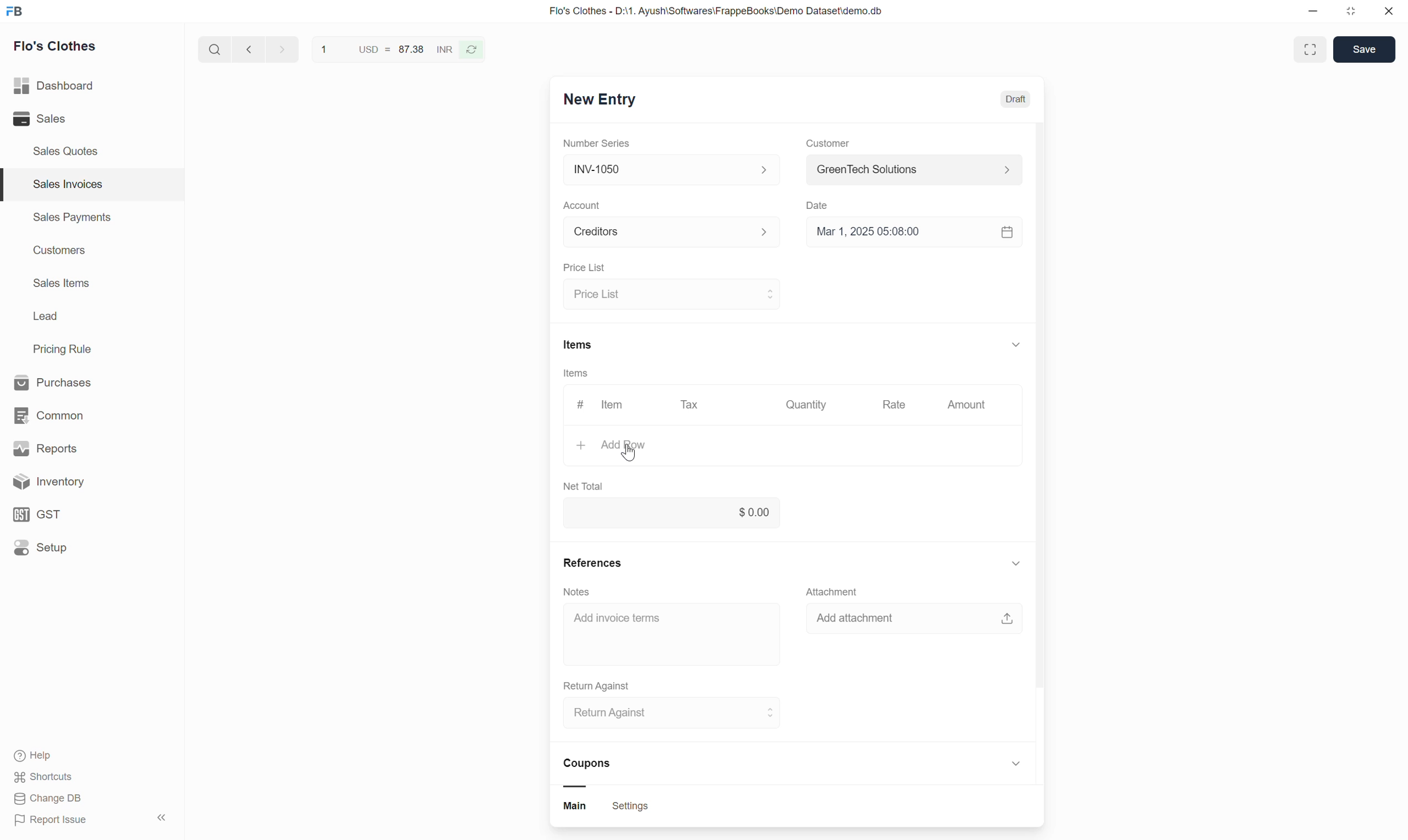  What do you see at coordinates (593, 560) in the screenshot?
I see `References` at bounding box center [593, 560].